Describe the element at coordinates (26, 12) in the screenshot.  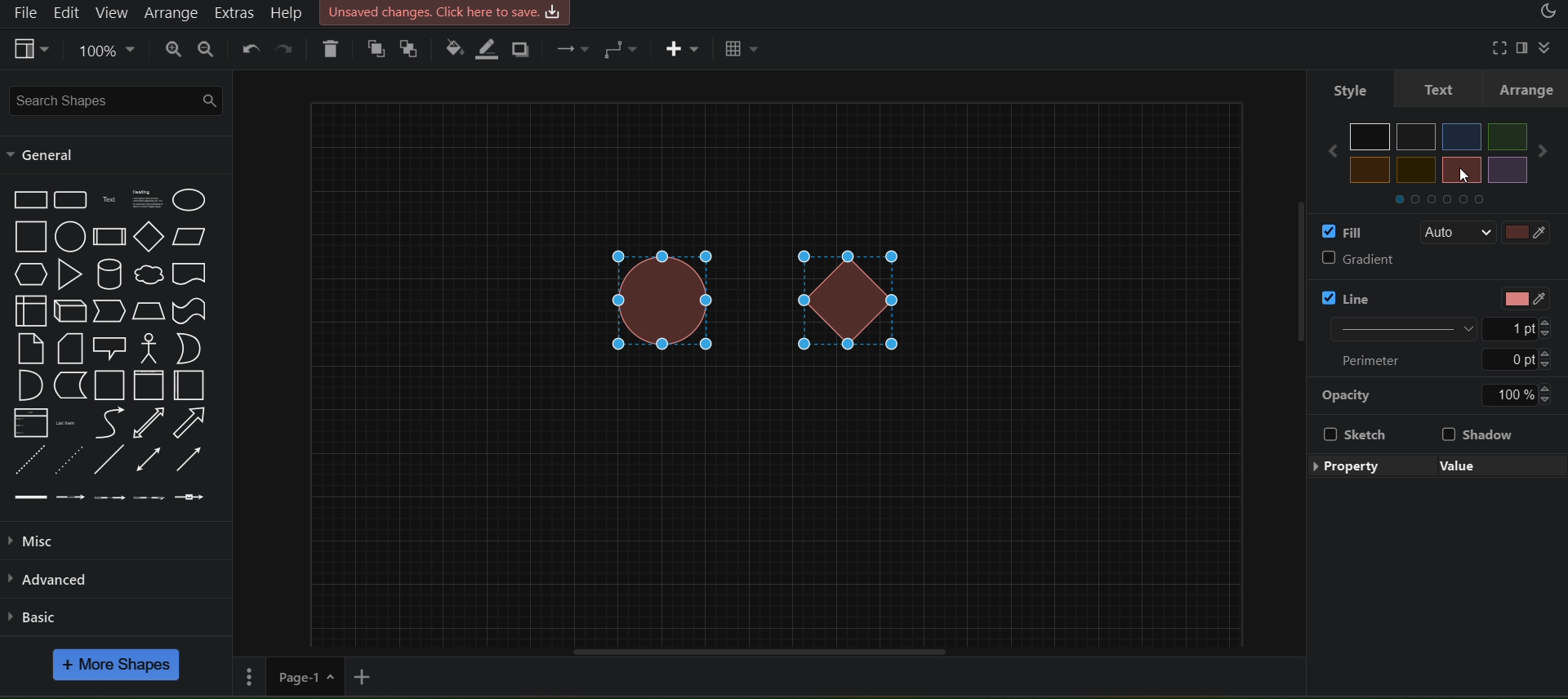
I see `file` at that location.